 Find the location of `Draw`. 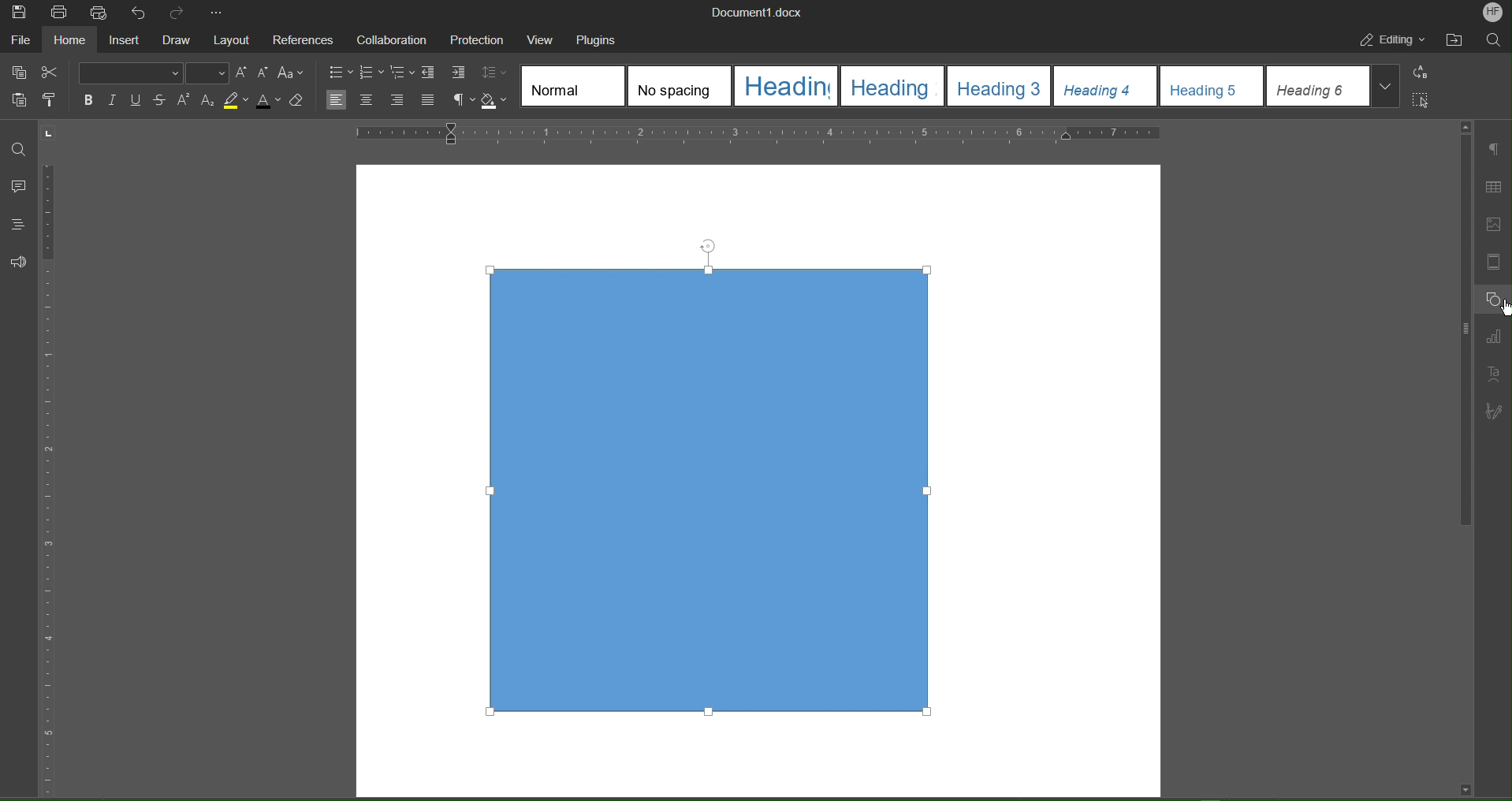

Draw is located at coordinates (178, 39).